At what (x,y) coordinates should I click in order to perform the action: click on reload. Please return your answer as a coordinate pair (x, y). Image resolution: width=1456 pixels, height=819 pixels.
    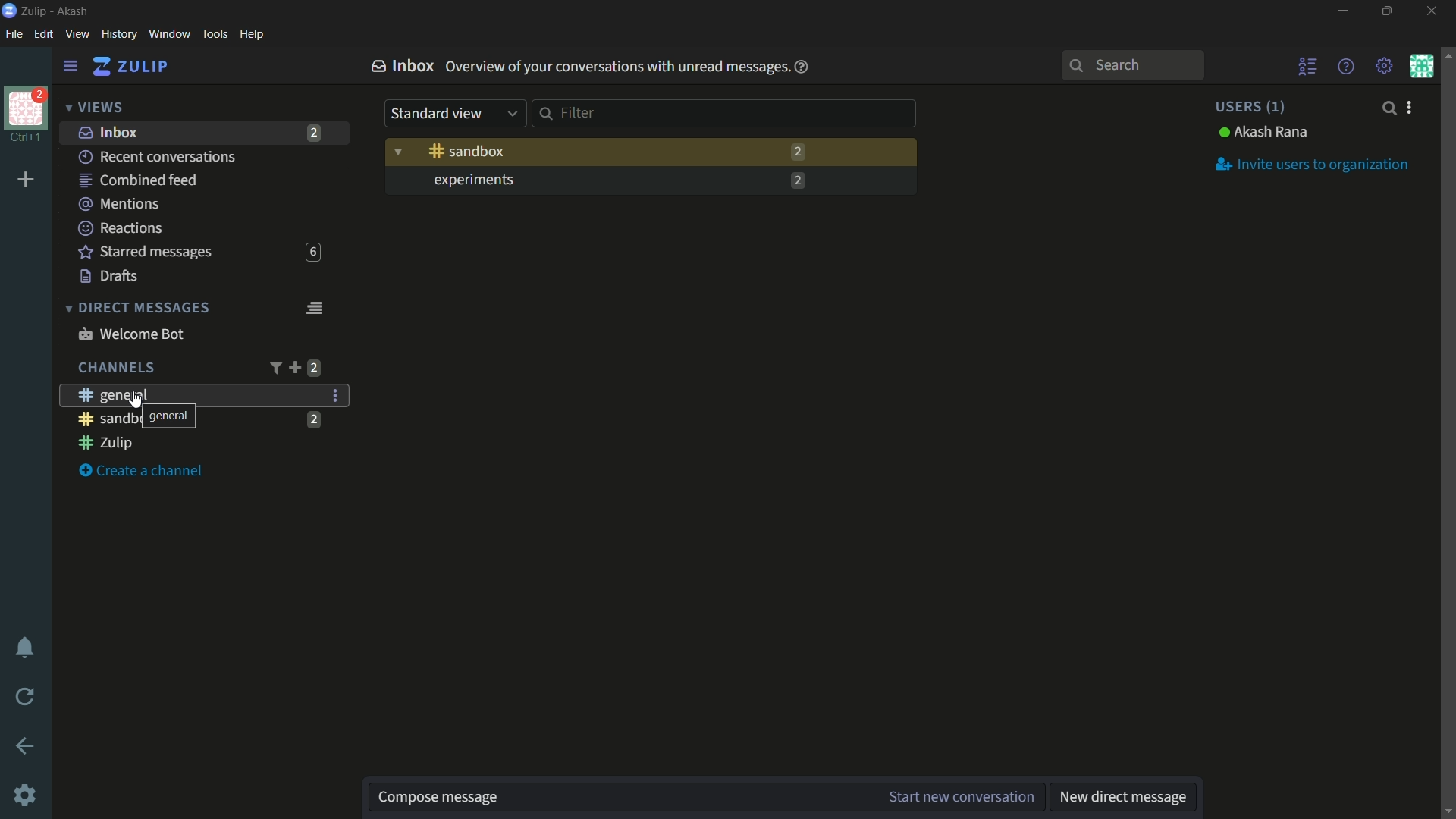
    Looking at the image, I should click on (26, 696).